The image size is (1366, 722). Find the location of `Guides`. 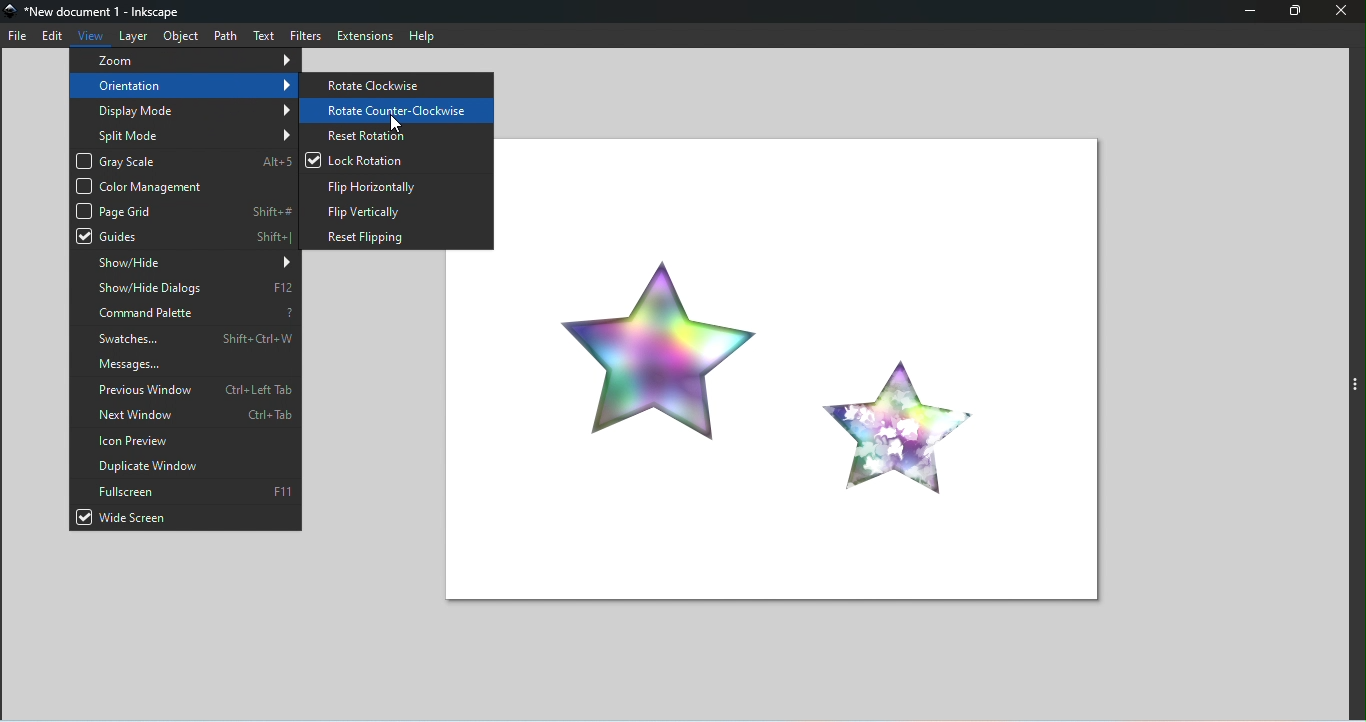

Guides is located at coordinates (183, 237).